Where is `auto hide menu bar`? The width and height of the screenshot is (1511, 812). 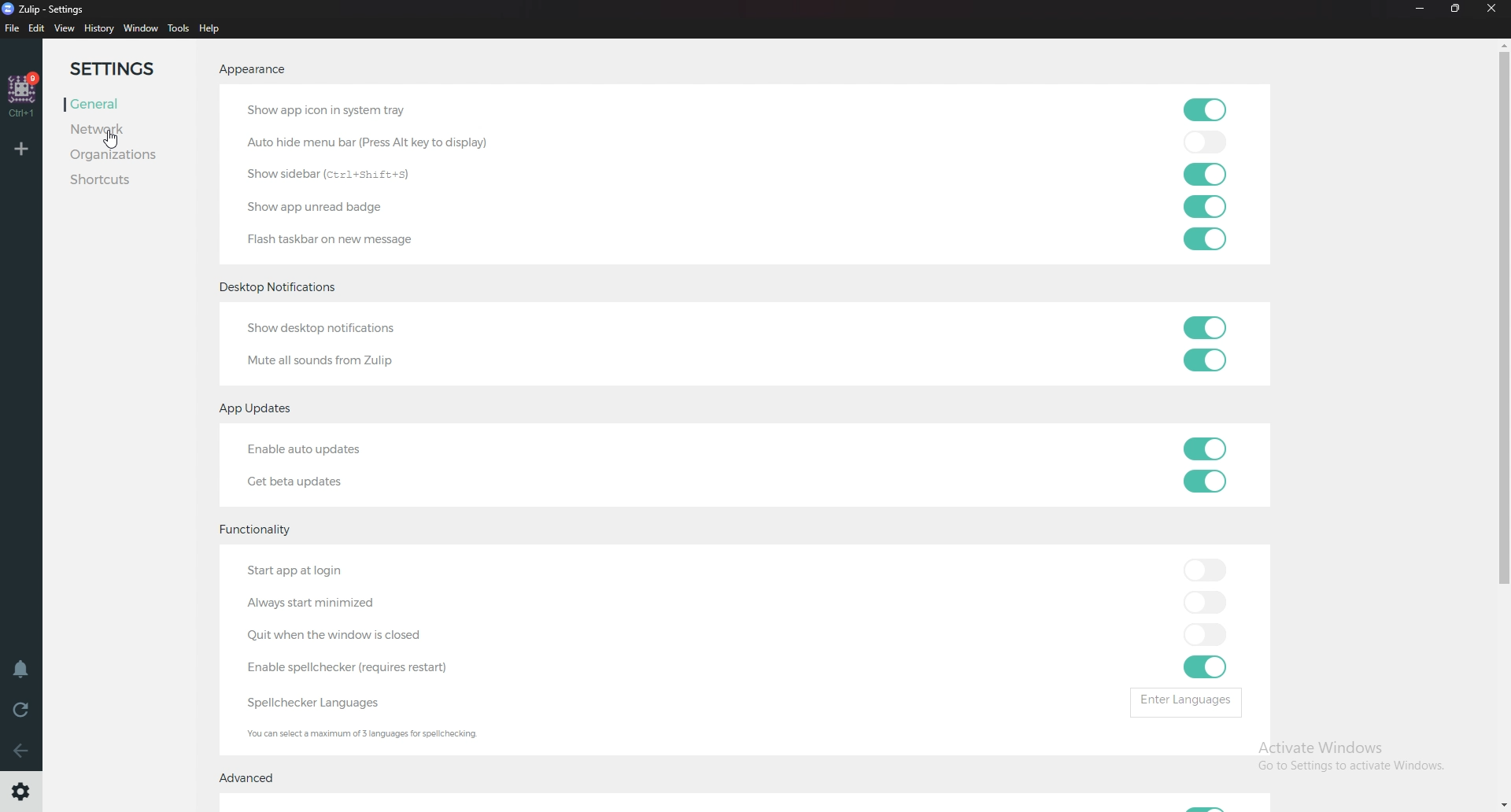 auto hide menu bar is located at coordinates (367, 141).